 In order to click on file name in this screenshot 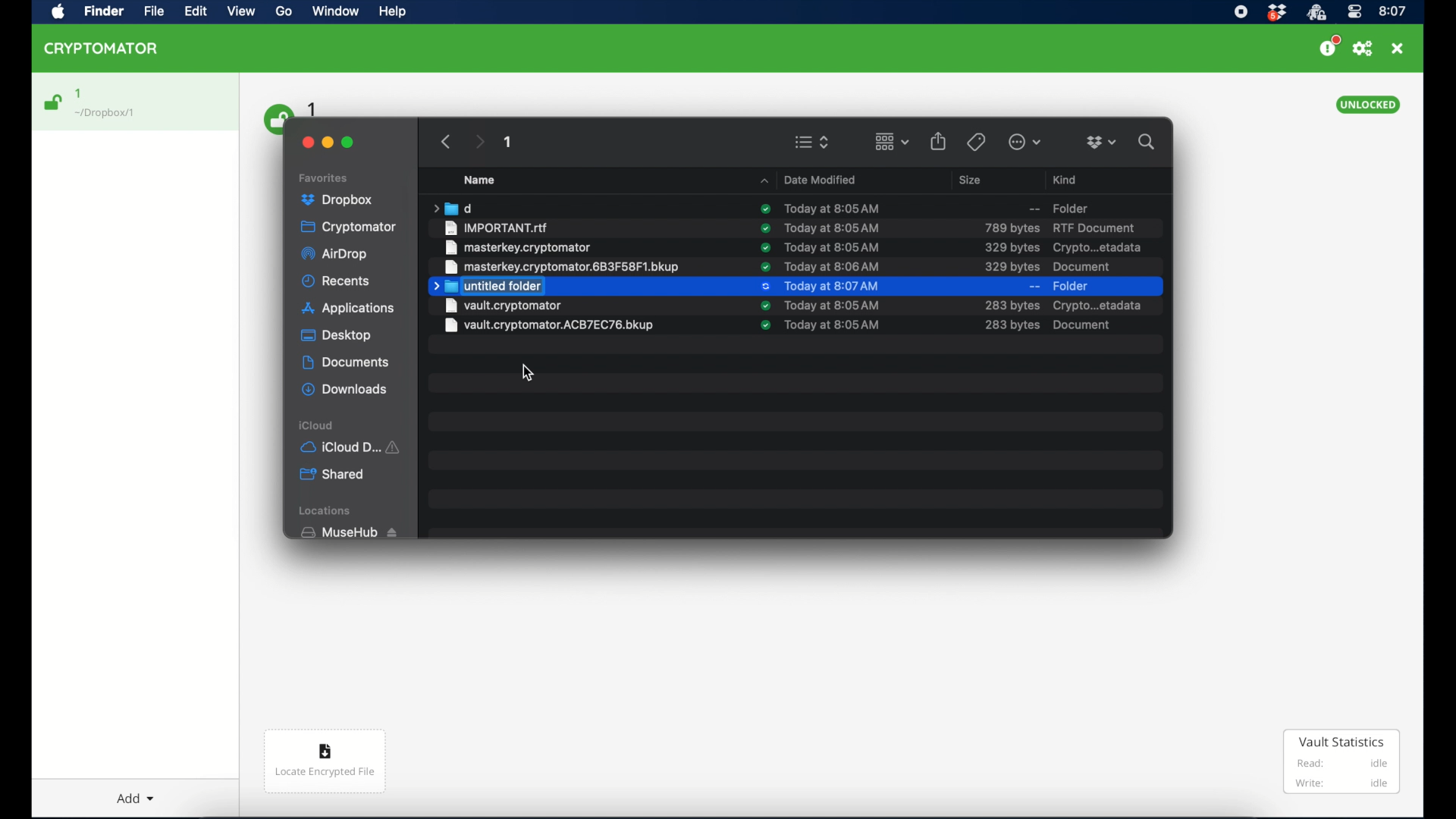, I will do `click(497, 227)`.